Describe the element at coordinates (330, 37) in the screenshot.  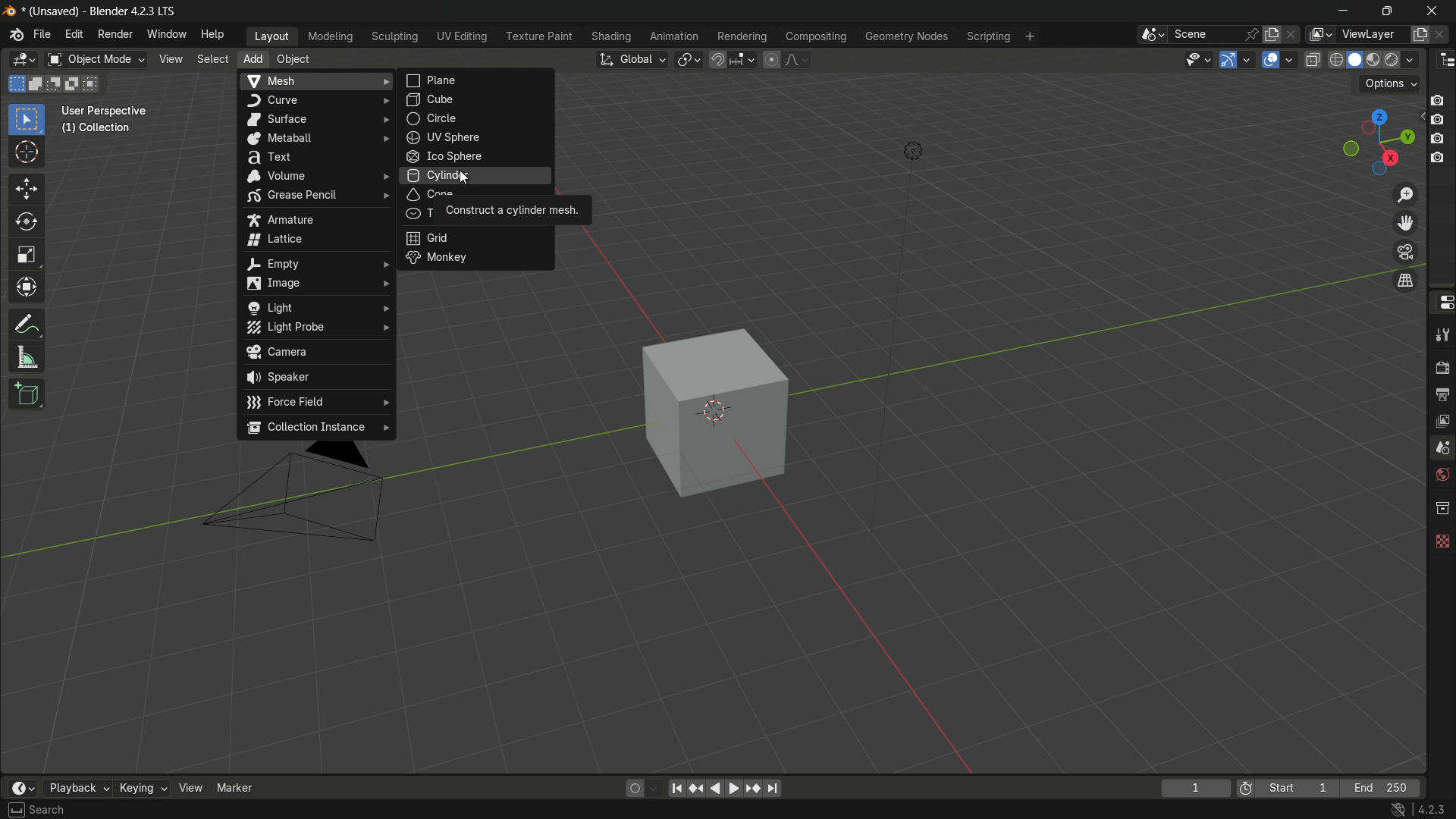
I see `modeling menu` at that location.